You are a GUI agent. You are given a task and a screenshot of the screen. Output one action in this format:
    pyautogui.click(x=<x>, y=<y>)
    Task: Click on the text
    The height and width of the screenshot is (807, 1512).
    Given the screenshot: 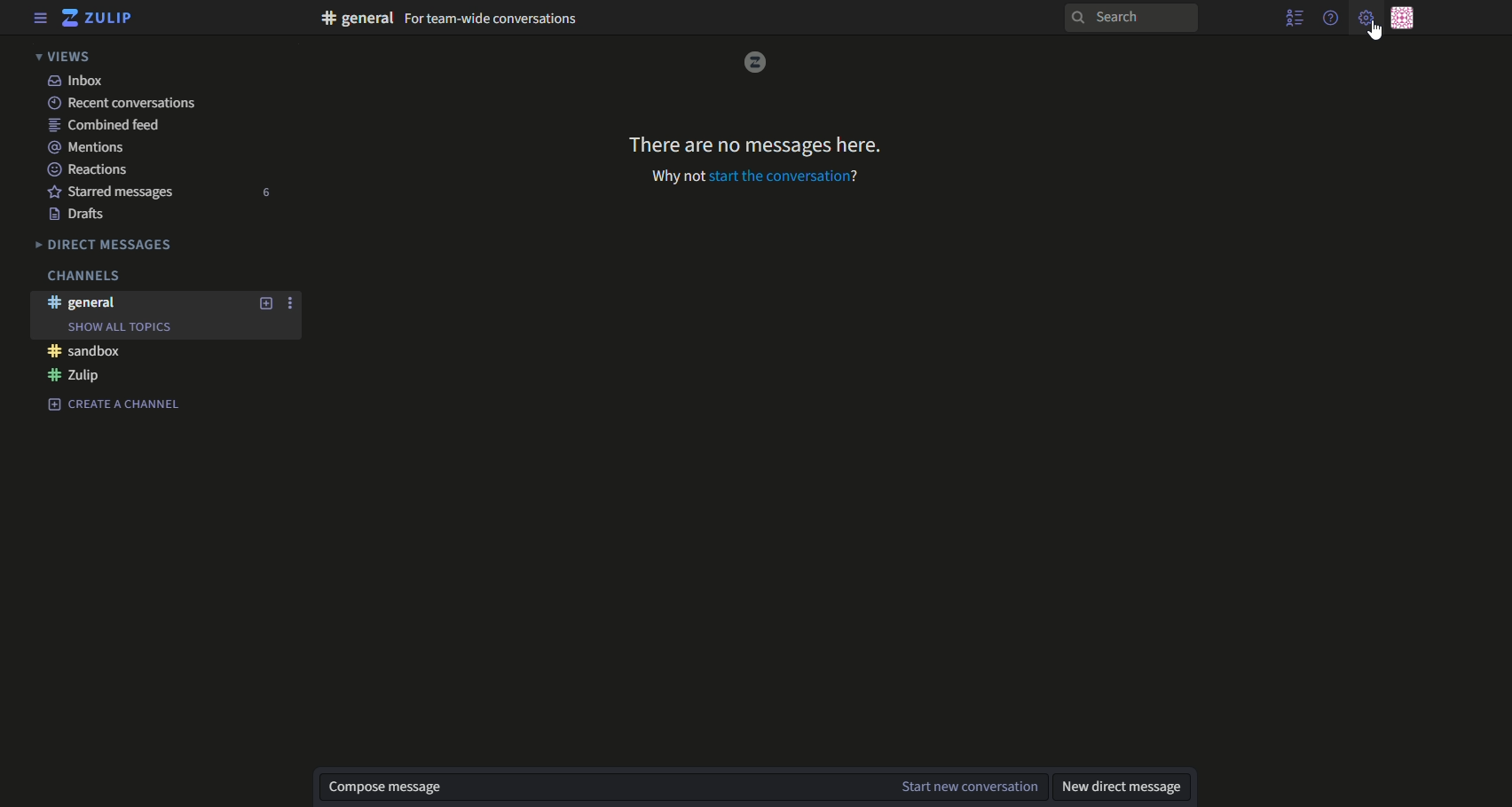 What is the action you would take?
    pyautogui.click(x=449, y=19)
    